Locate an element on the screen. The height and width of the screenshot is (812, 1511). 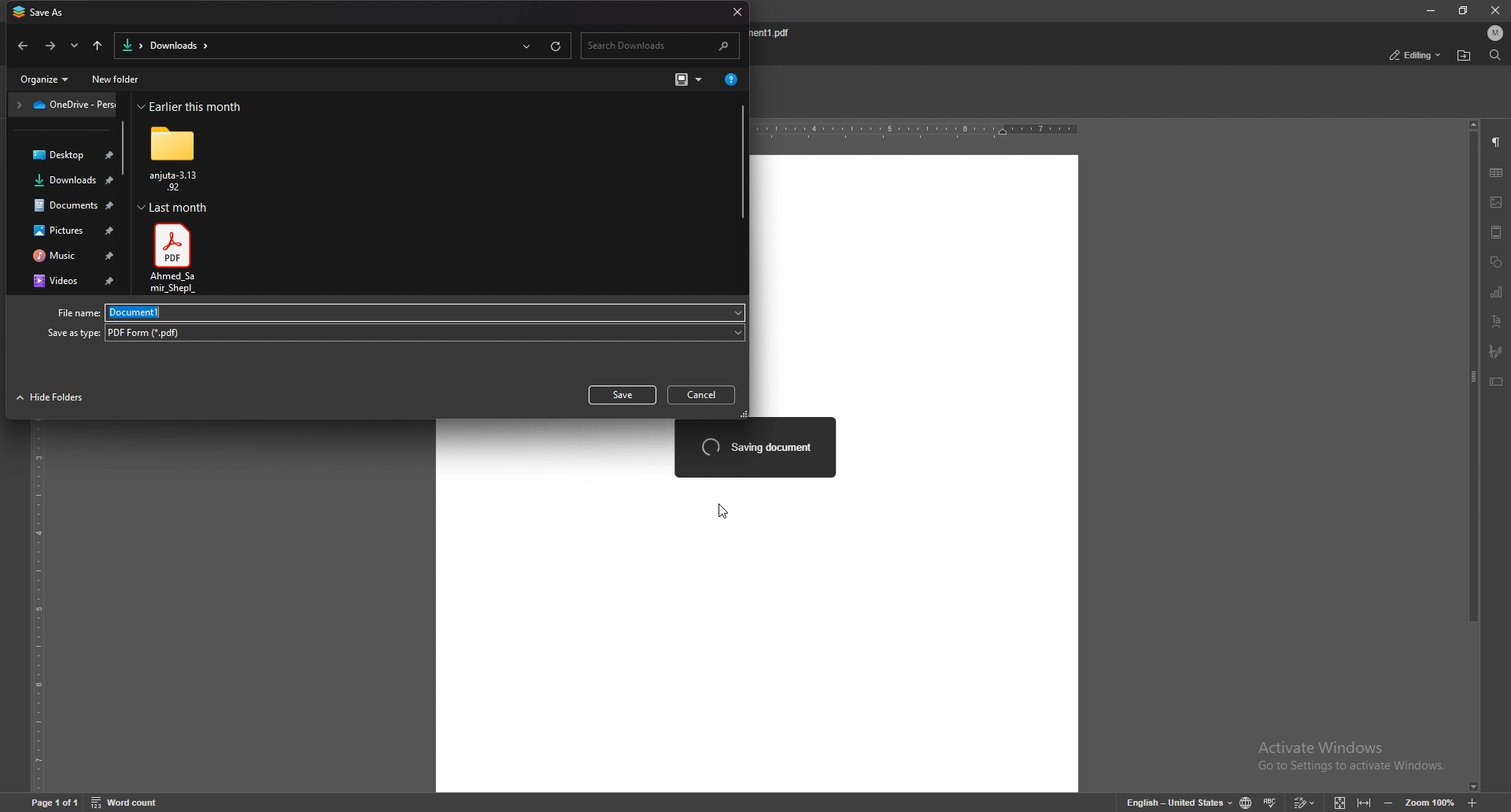
text art is located at coordinates (1498, 321).